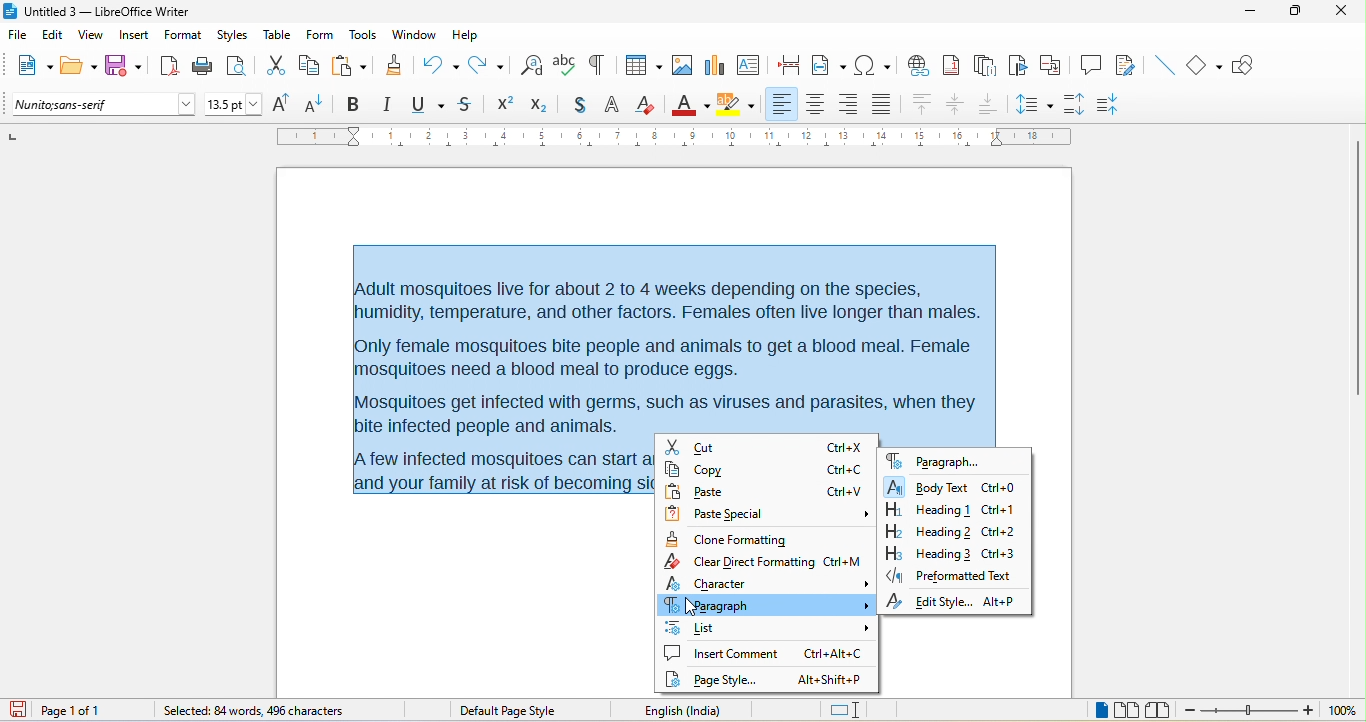  What do you see at coordinates (927, 509) in the screenshot?
I see `heading1` at bounding box center [927, 509].